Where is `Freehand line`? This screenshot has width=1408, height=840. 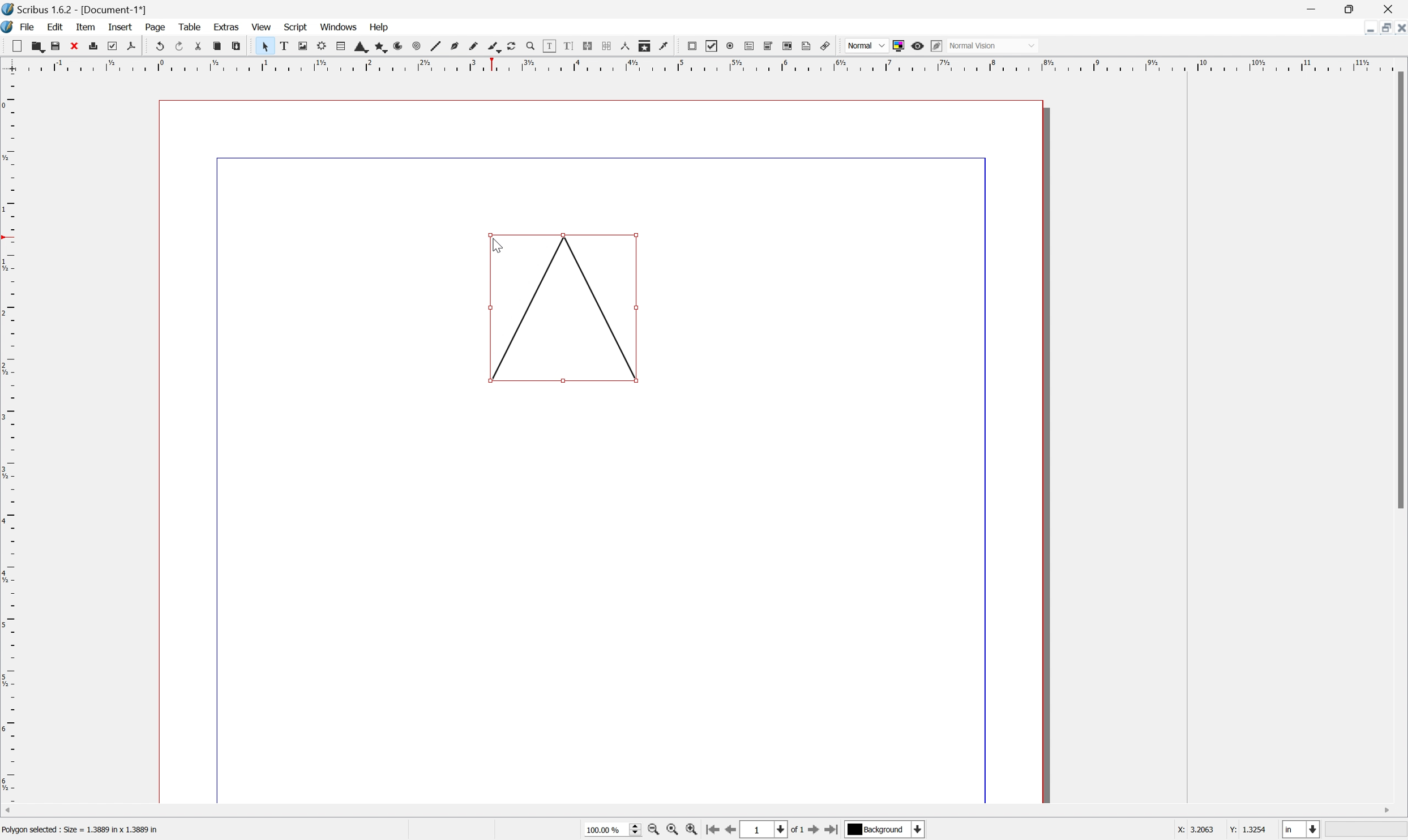
Freehand line is located at coordinates (474, 46).